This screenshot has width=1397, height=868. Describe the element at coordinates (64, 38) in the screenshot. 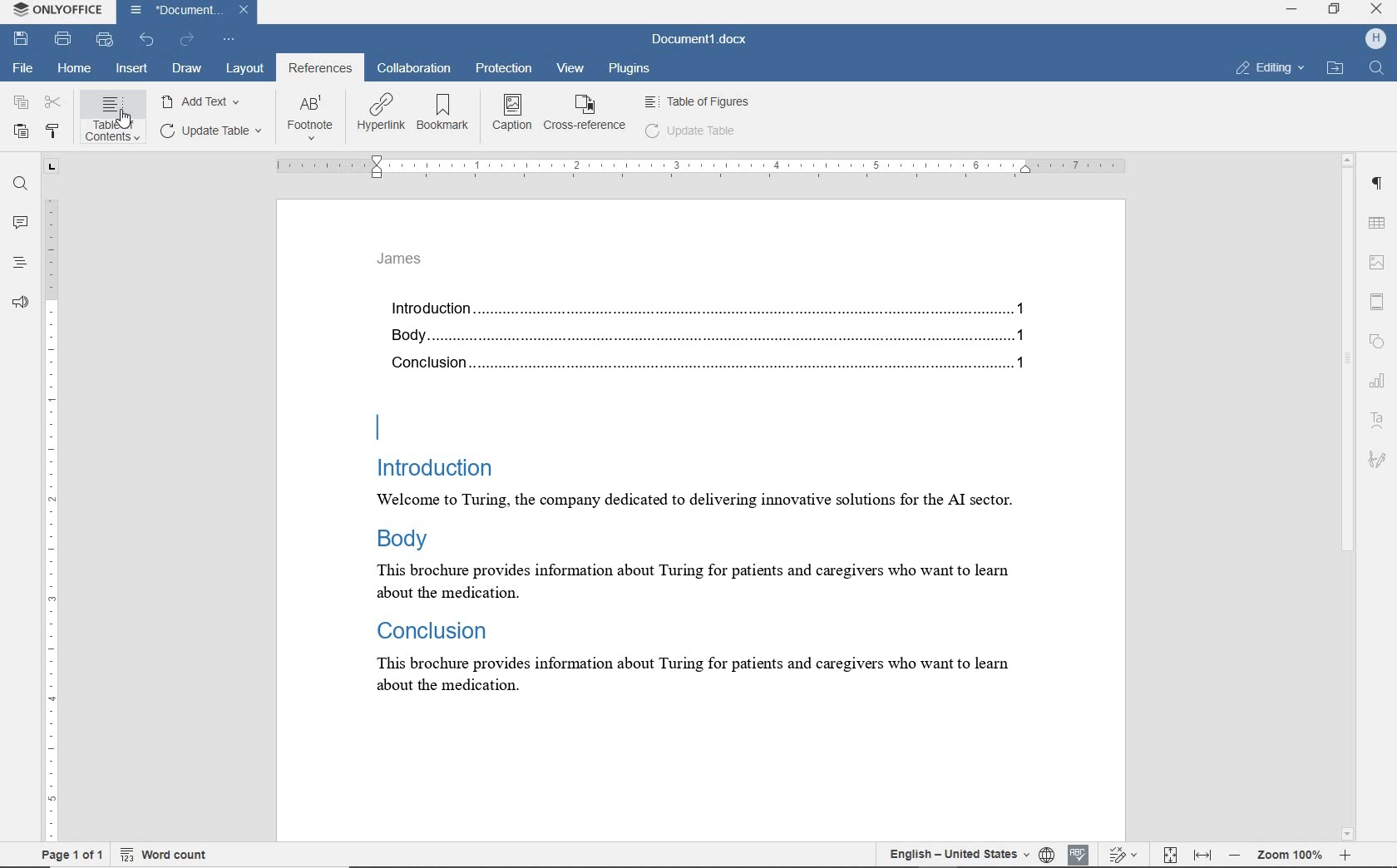

I see `print` at that location.